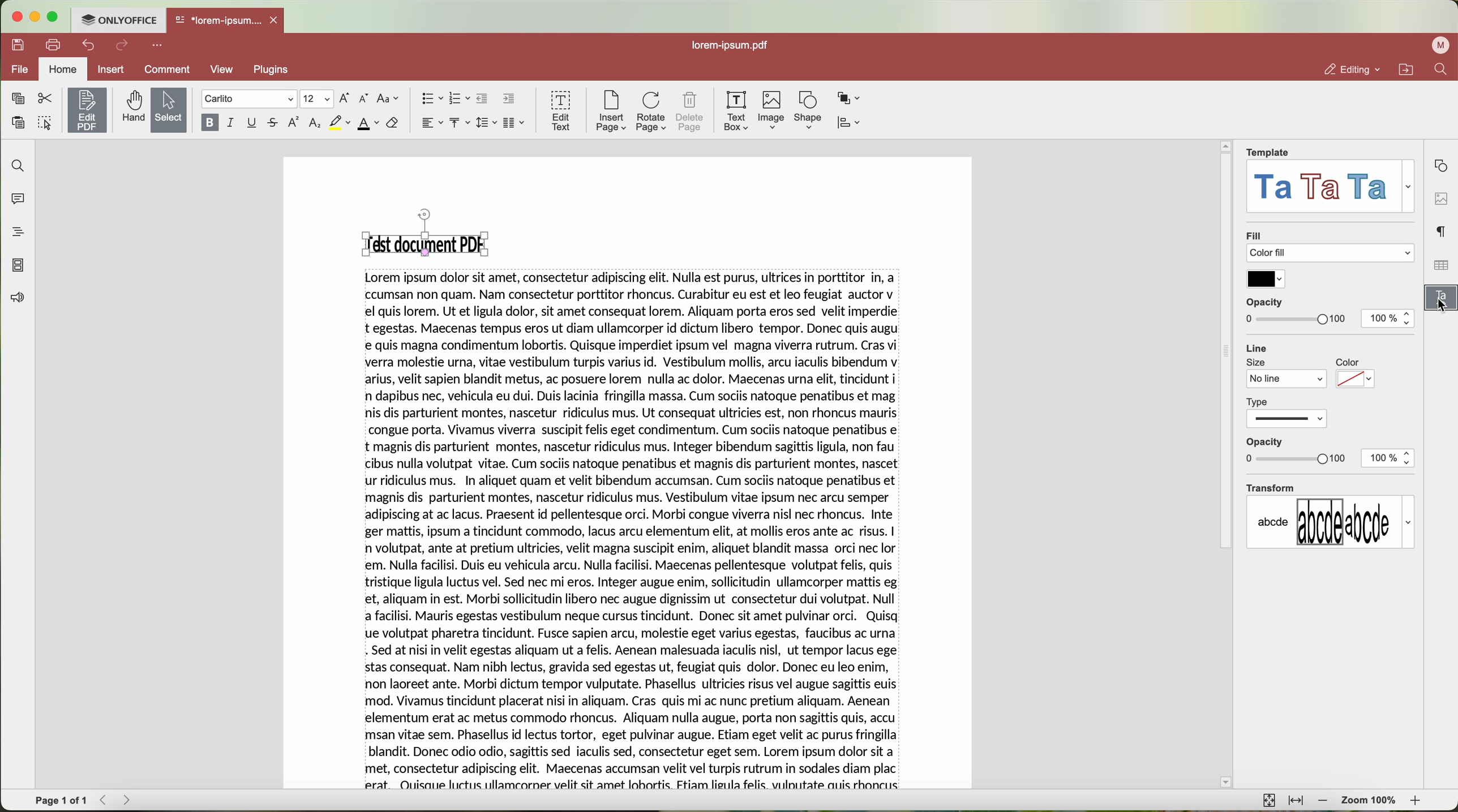  What do you see at coordinates (123, 46) in the screenshot?
I see `redo` at bounding box center [123, 46].